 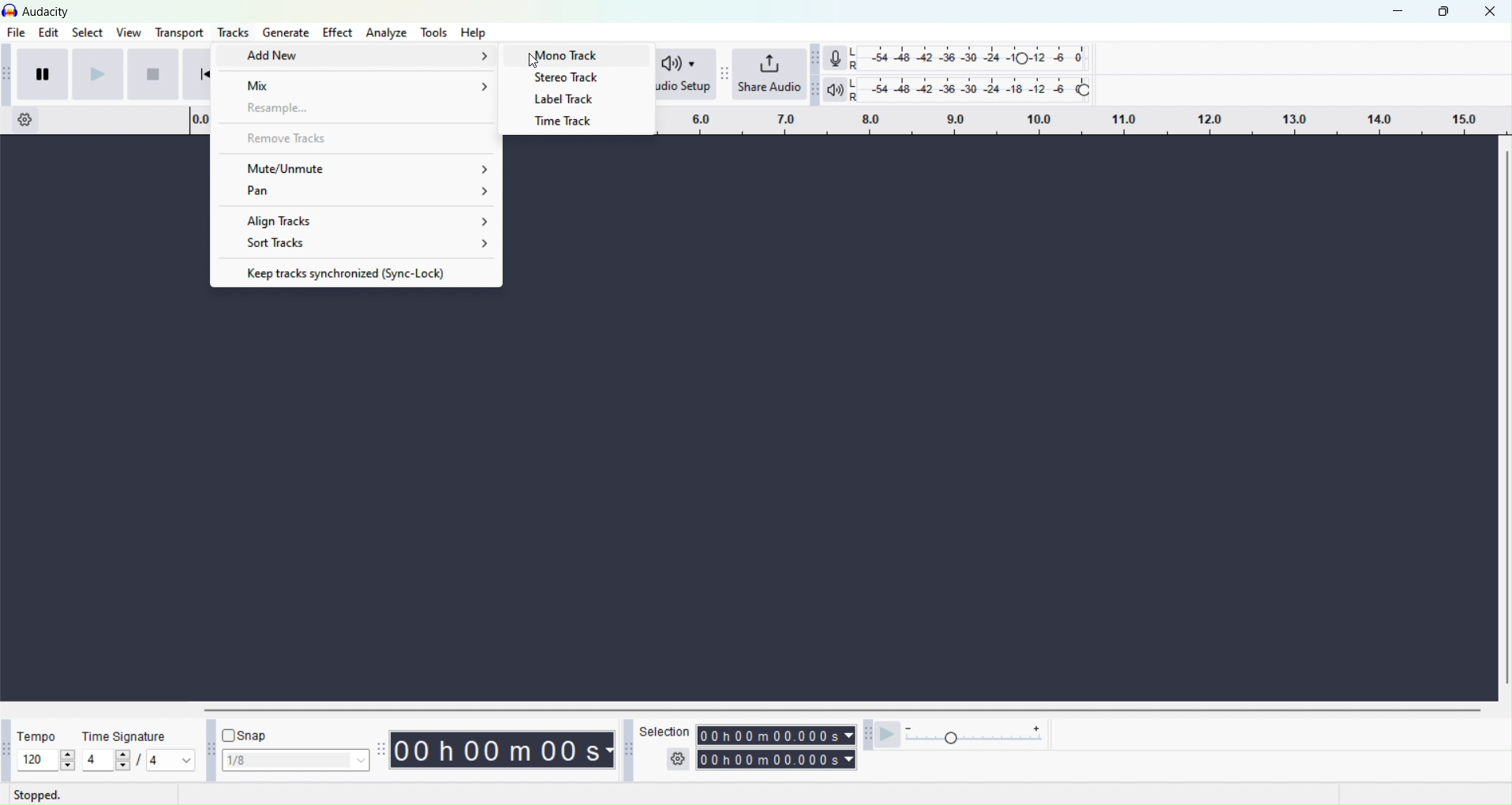 I want to click on Remove tools, so click(x=357, y=138).